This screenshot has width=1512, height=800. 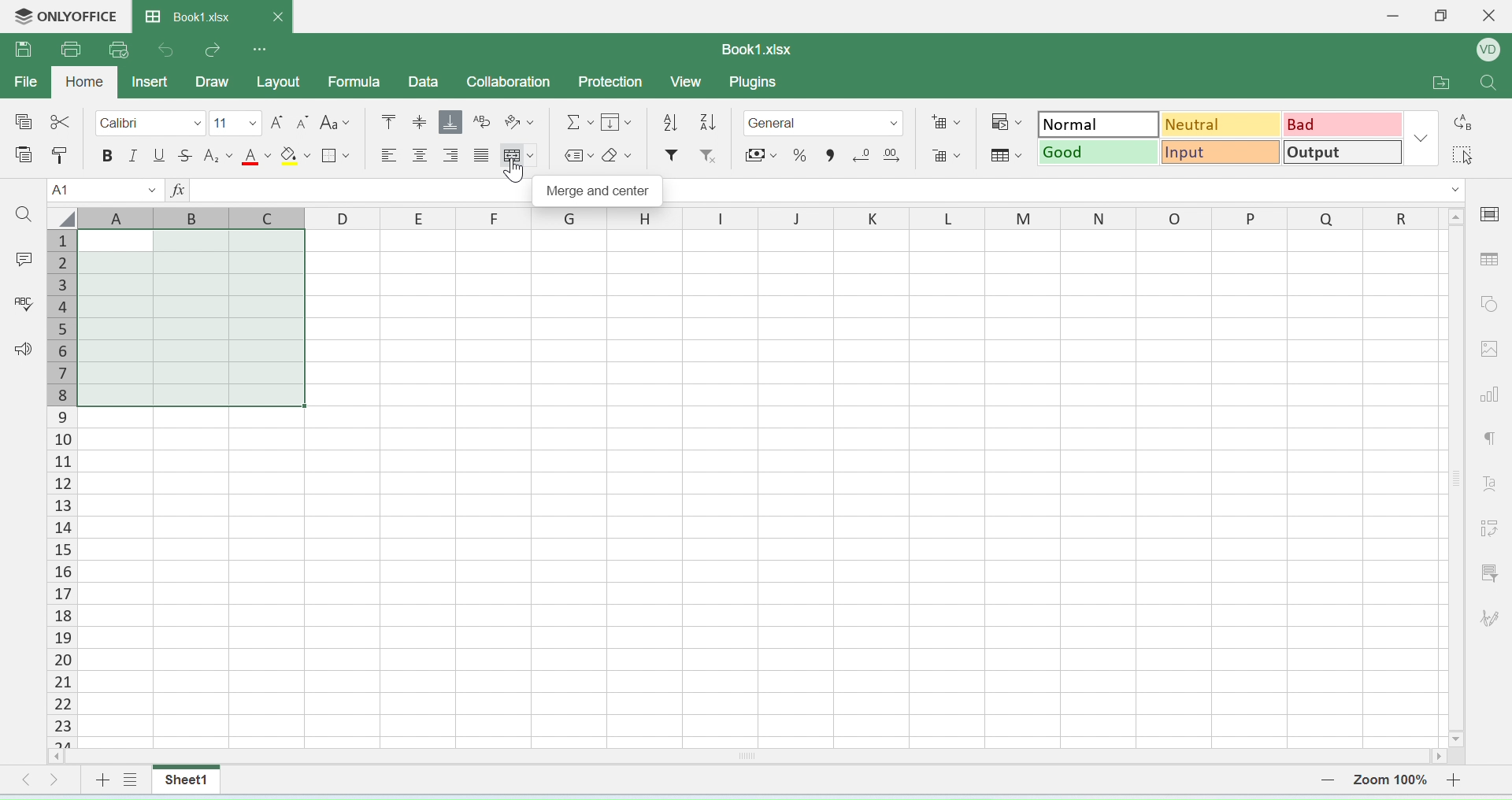 I want to click on select all cells, so click(x=61, y=217).